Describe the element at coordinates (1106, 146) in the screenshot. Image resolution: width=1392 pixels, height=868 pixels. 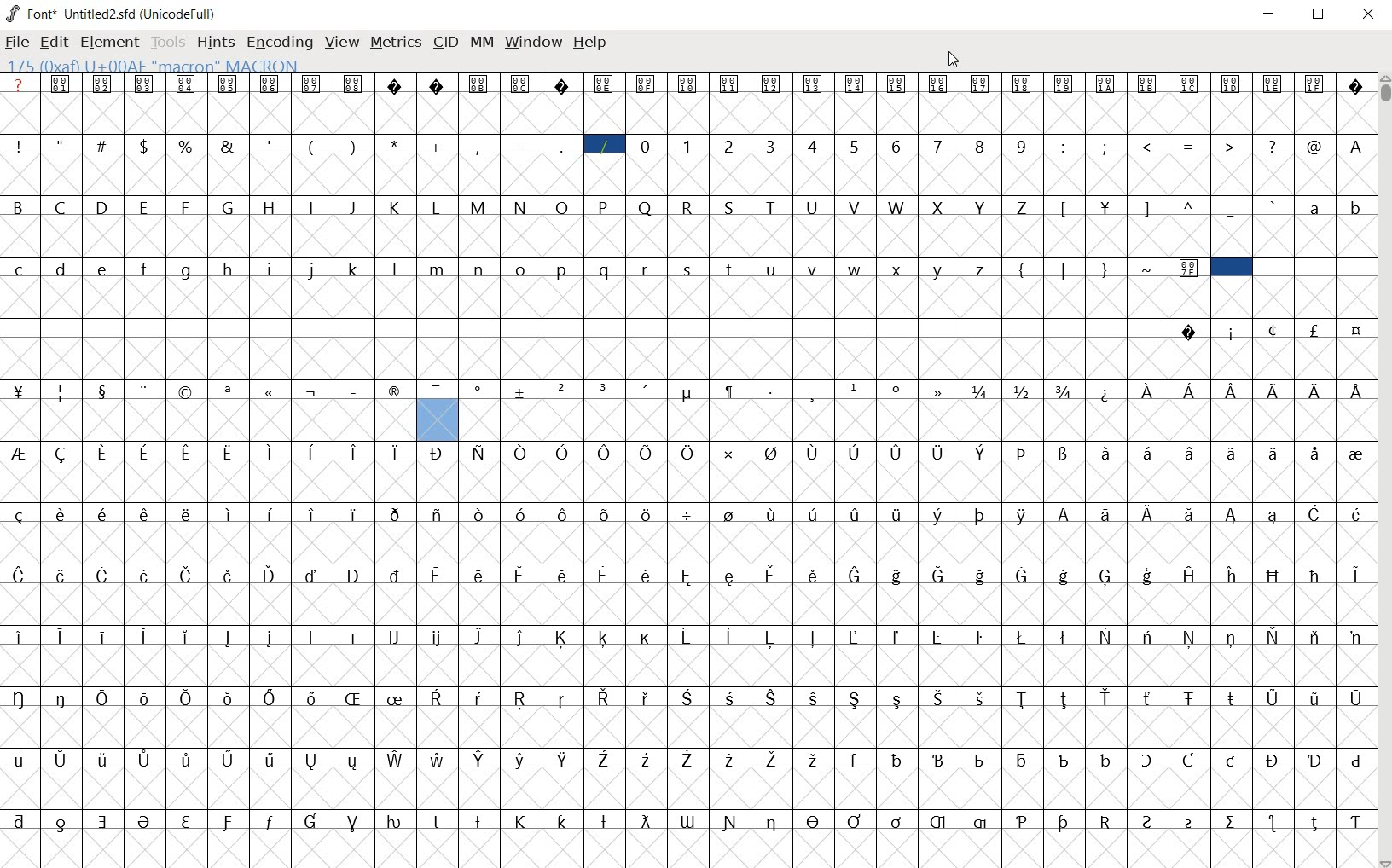
I see `;` at that location.